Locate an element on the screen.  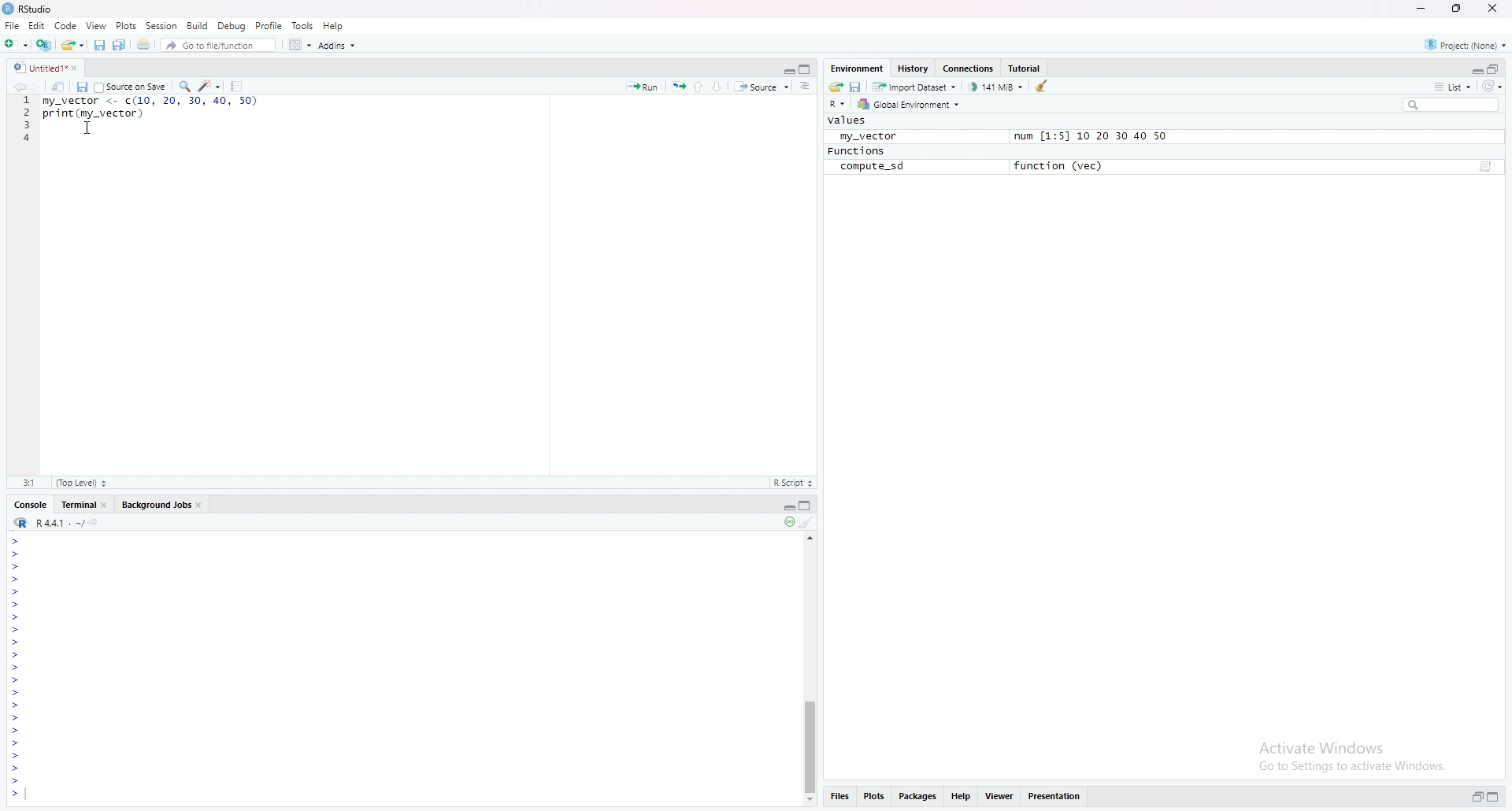
Values is located at coordinates (848, 120).